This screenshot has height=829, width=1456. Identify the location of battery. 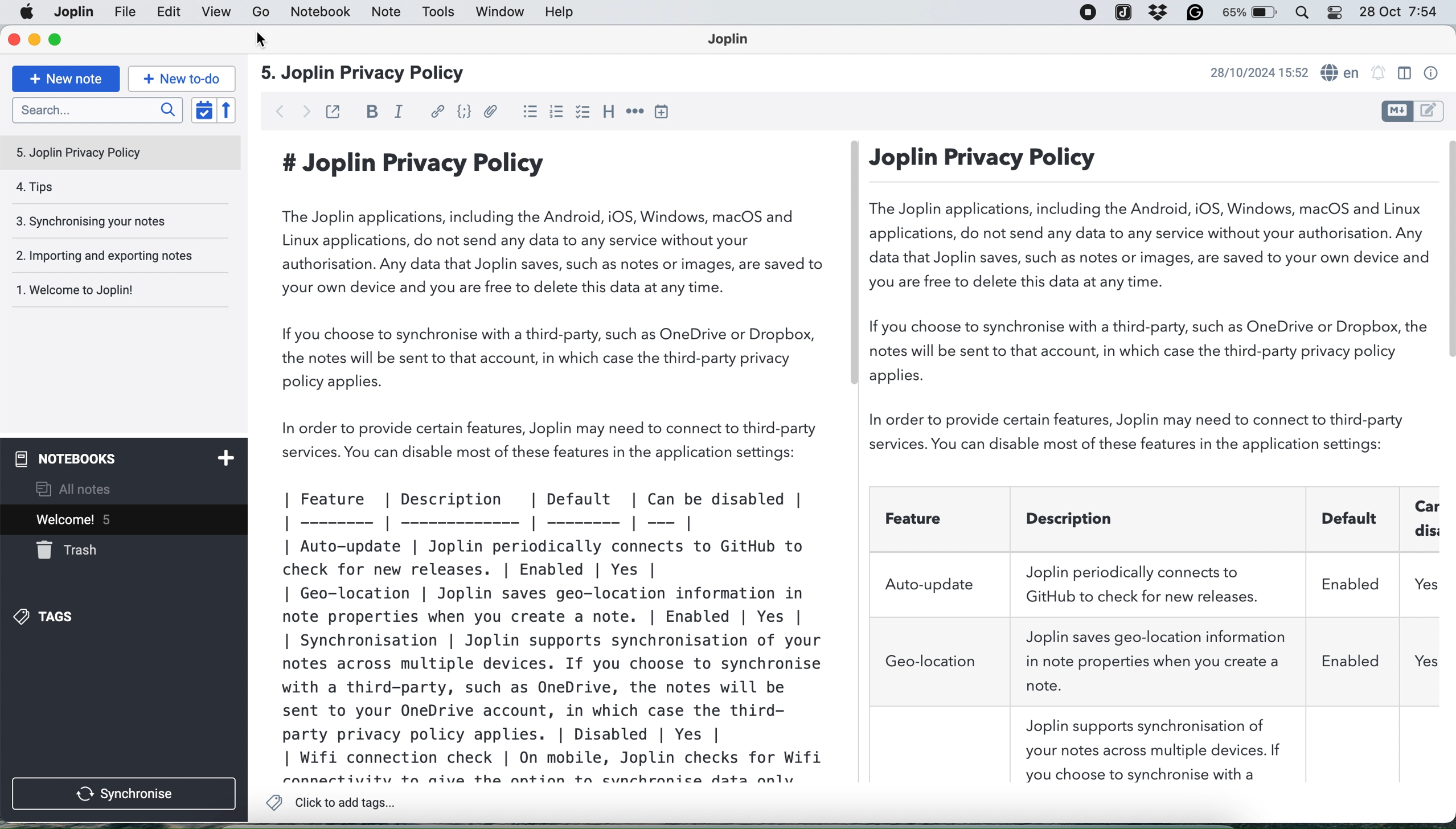
(1252, 14).